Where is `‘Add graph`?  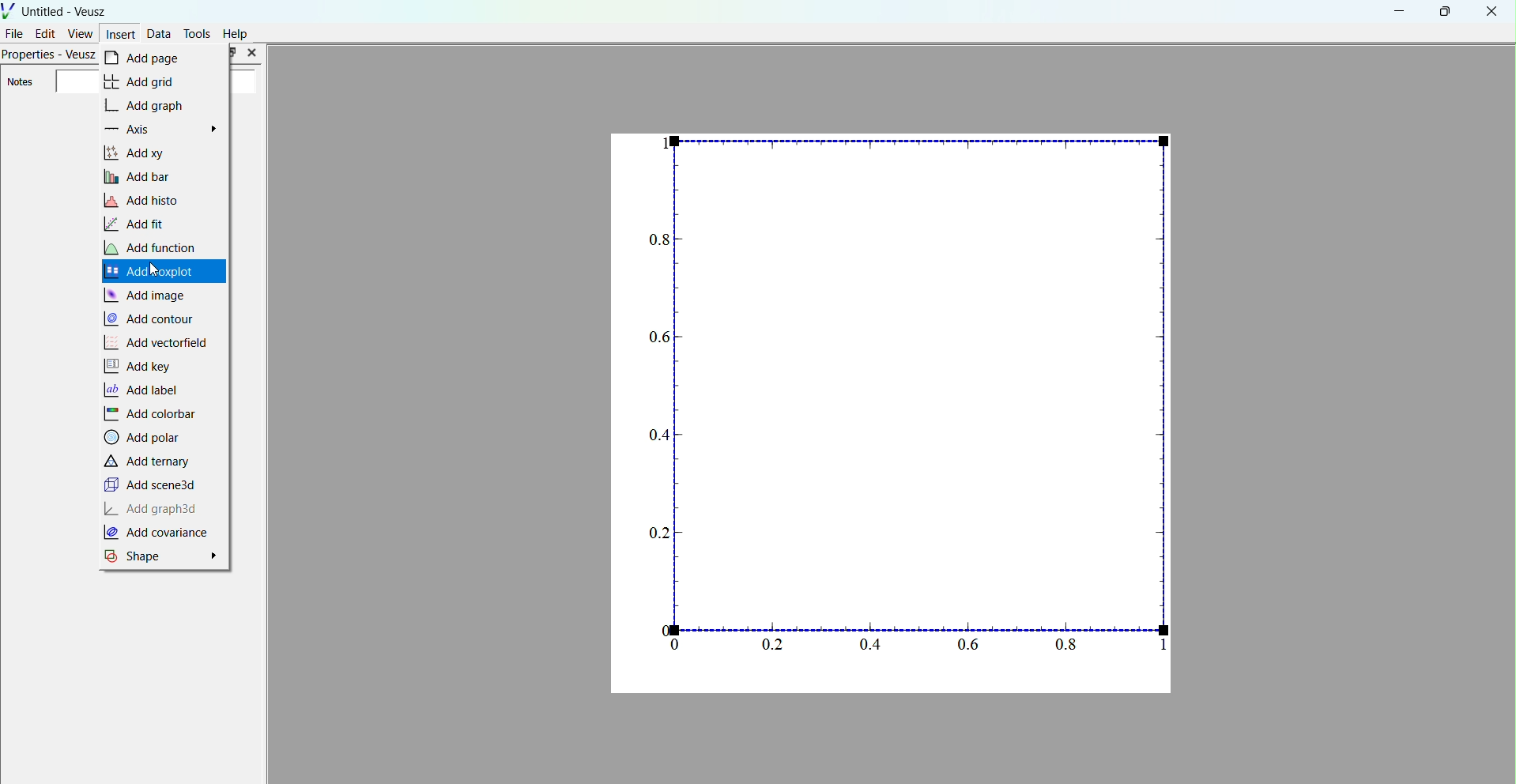 ‘Add graph is located at coordinates (154, 105).